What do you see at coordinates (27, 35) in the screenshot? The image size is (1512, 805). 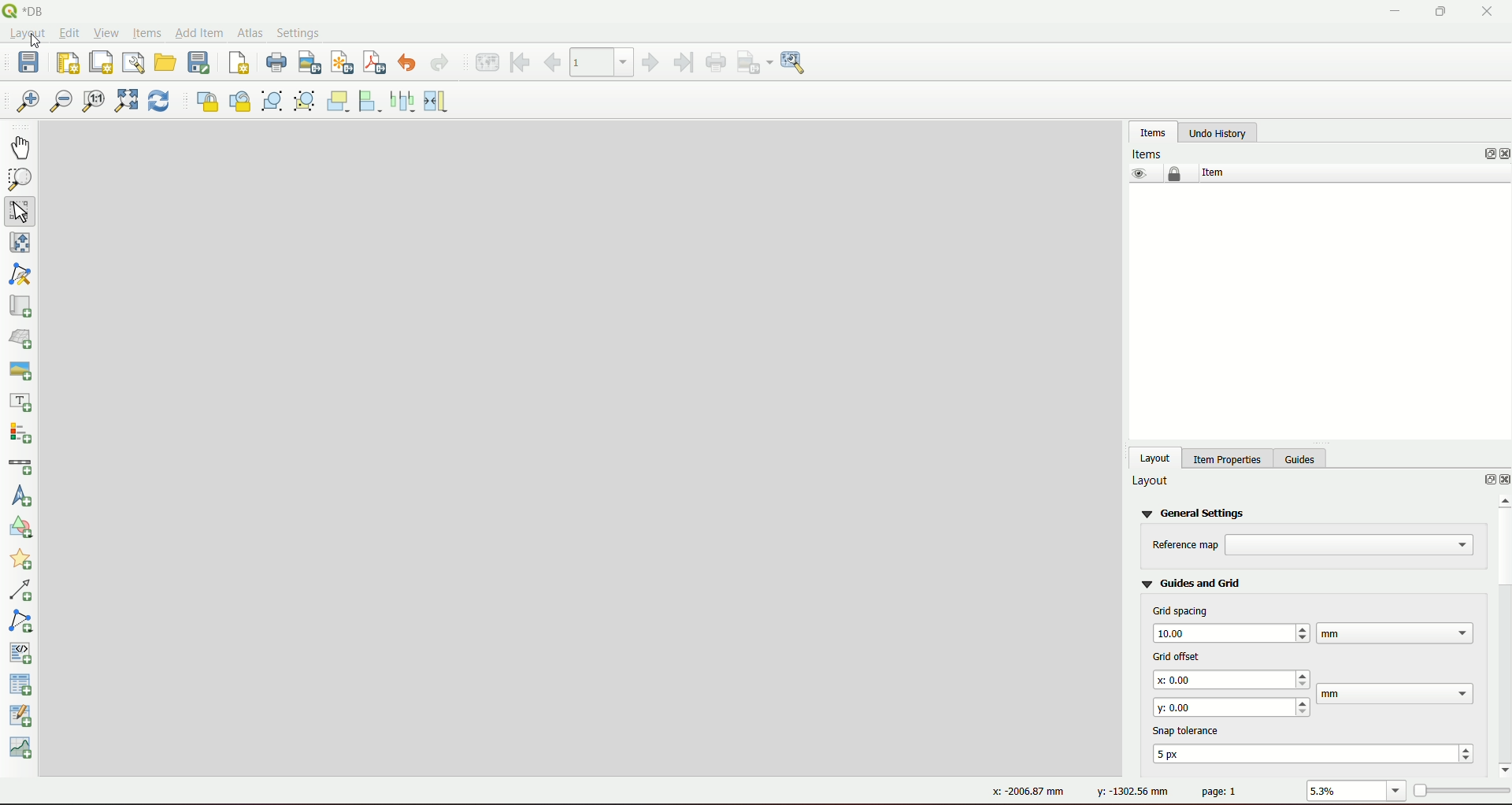 I see `Layout` at bounding box center [27, 35].